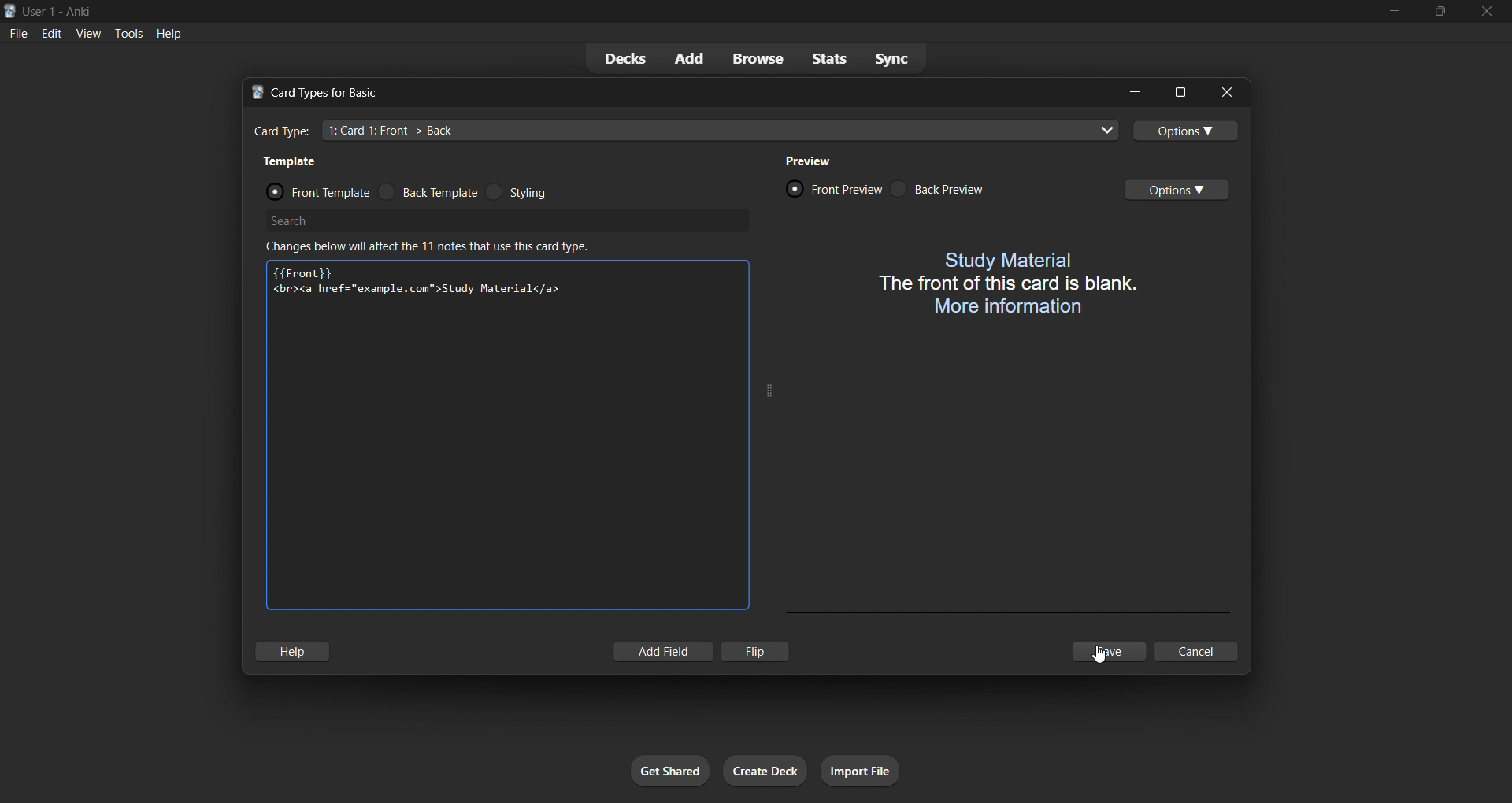 The height and width of the screenshot is (803, 1512). What do you see at coordinates (1133, 92) in the screenshot?
I see `minimize` at bounding box center [1133, 92].